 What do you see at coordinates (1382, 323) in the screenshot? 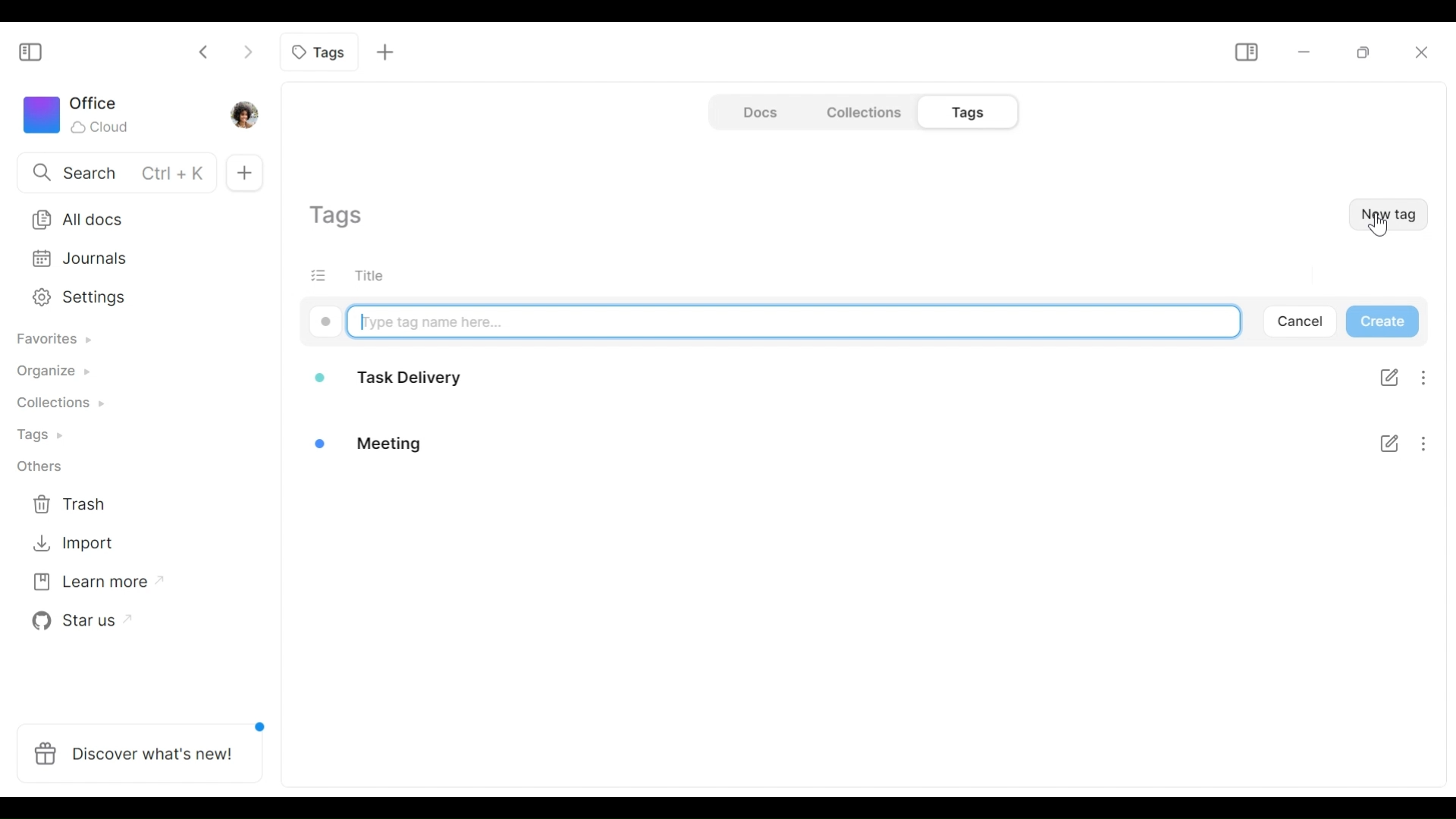
I see `Create` at bounding box center [1382, 323].